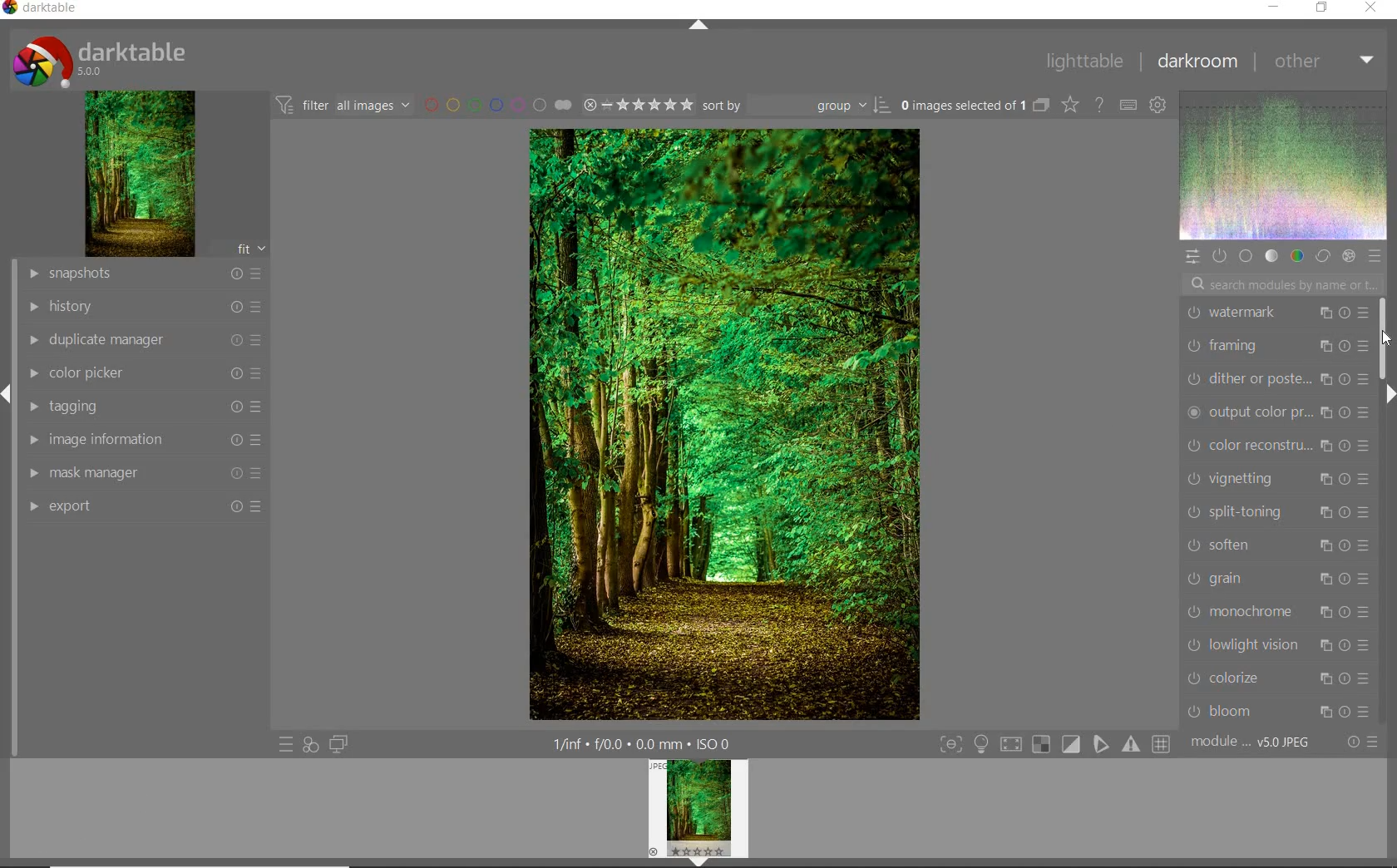  What do you see at coordinates (1376, 255) in the screenshot?
I see `PRESET ` at bounding box center [1376, 255].